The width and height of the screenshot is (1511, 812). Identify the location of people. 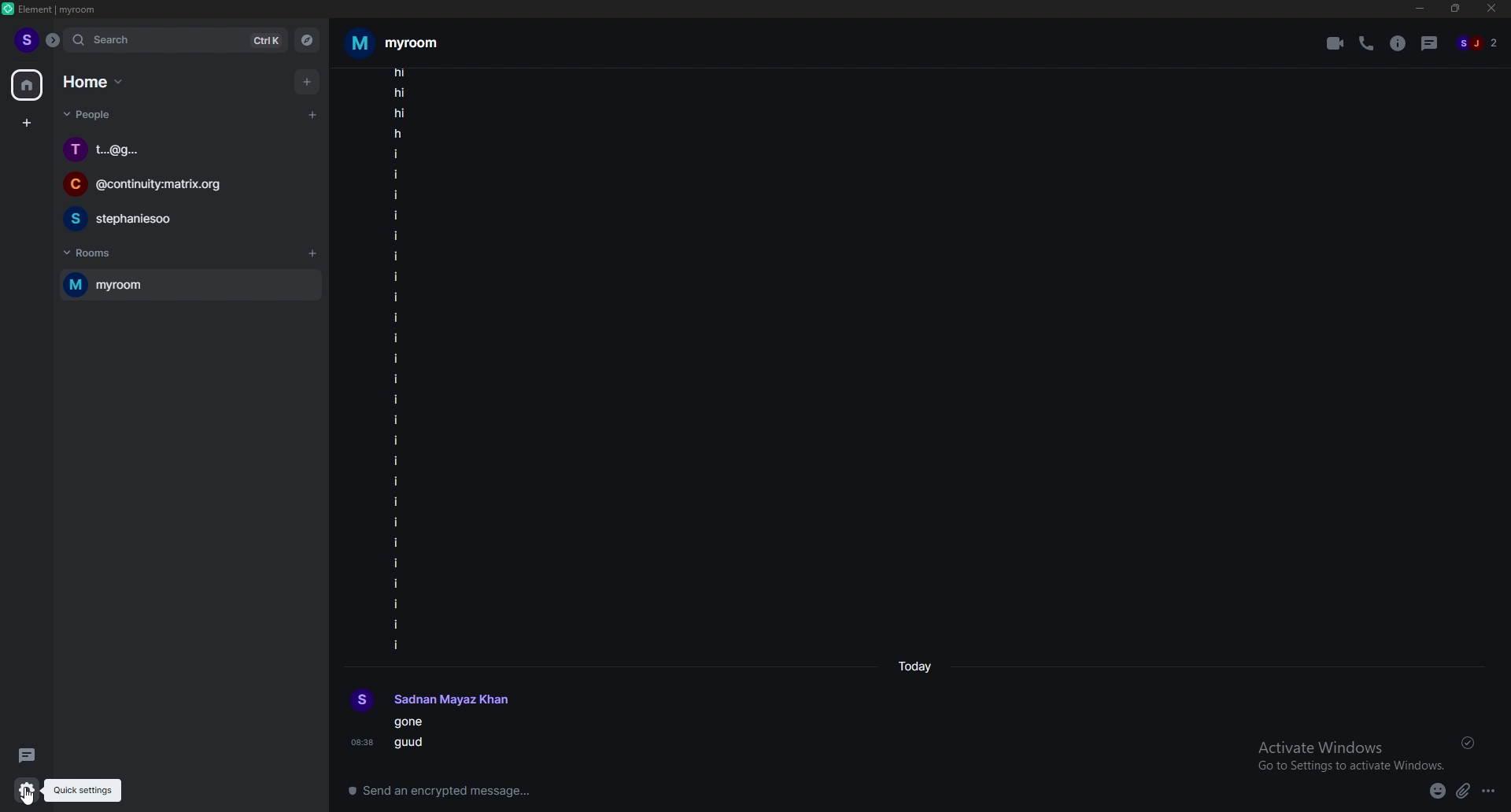
(1482, 43).